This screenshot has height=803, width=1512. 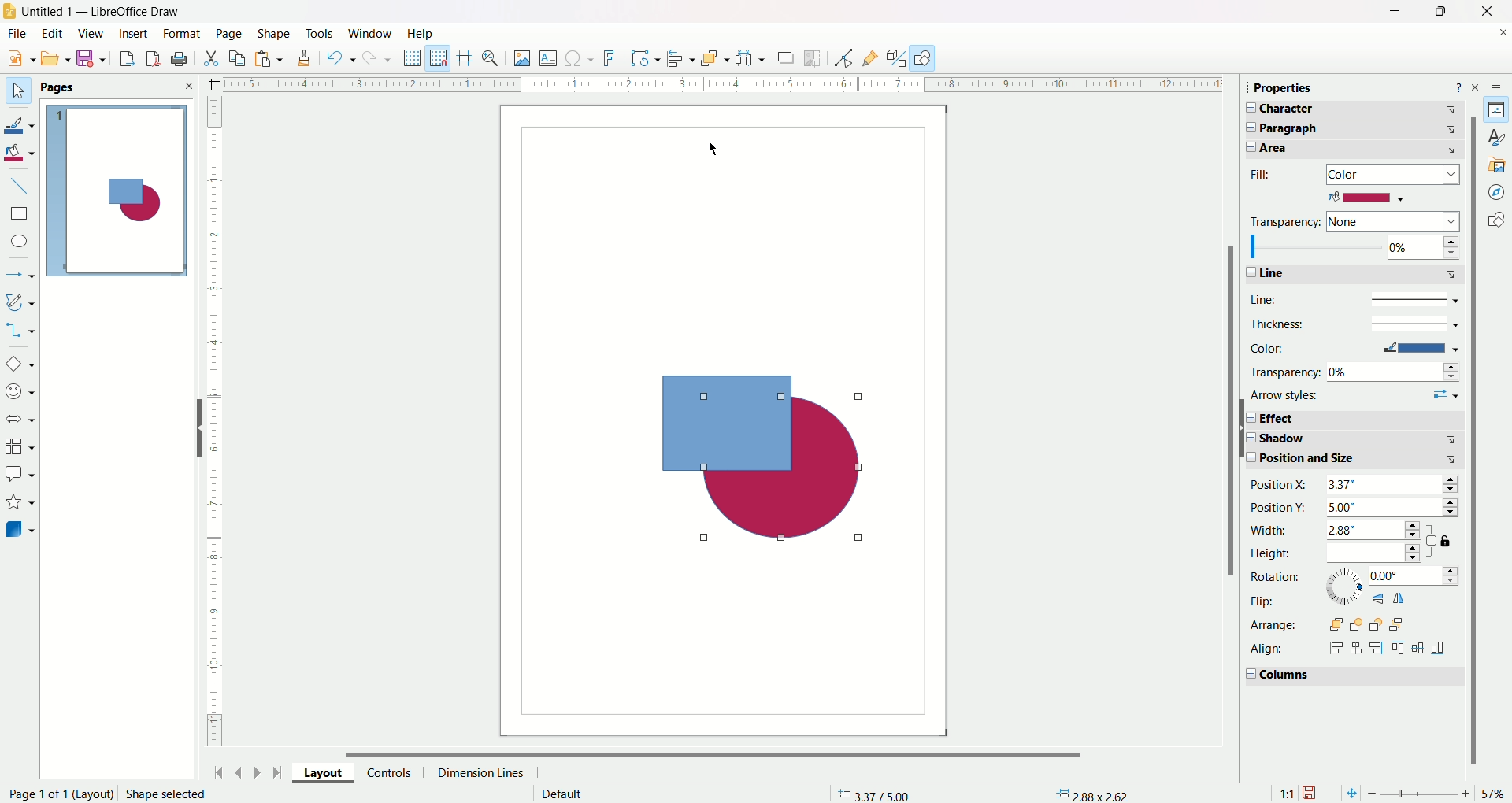 What do you see at coordinates (785, 60) in the screenshot?
I see `shadow` at bounding box center [785, 60].